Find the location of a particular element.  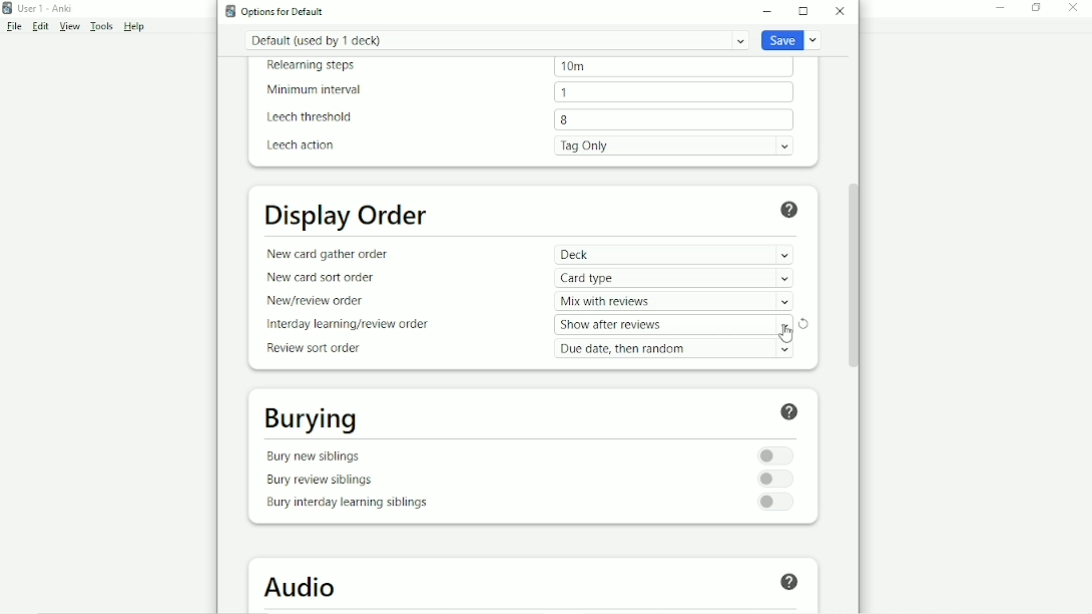

8 is located at coordinates (674, 119).